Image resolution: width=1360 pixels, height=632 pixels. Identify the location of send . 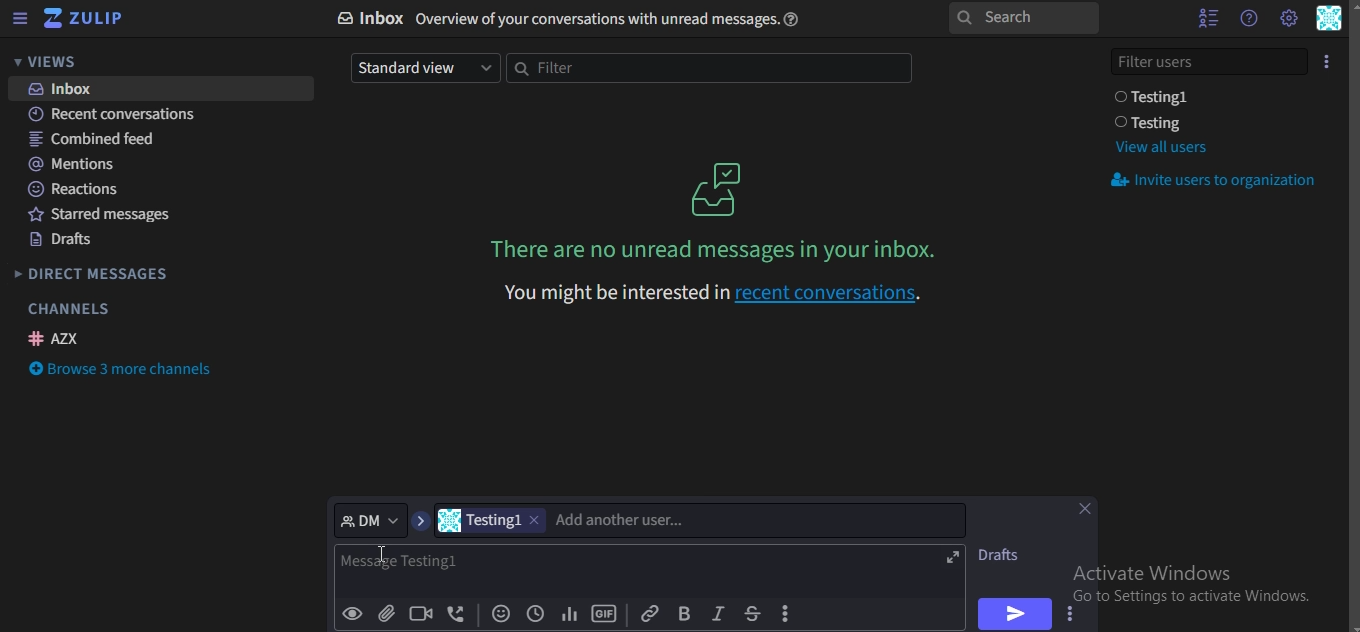
(1012, 613).